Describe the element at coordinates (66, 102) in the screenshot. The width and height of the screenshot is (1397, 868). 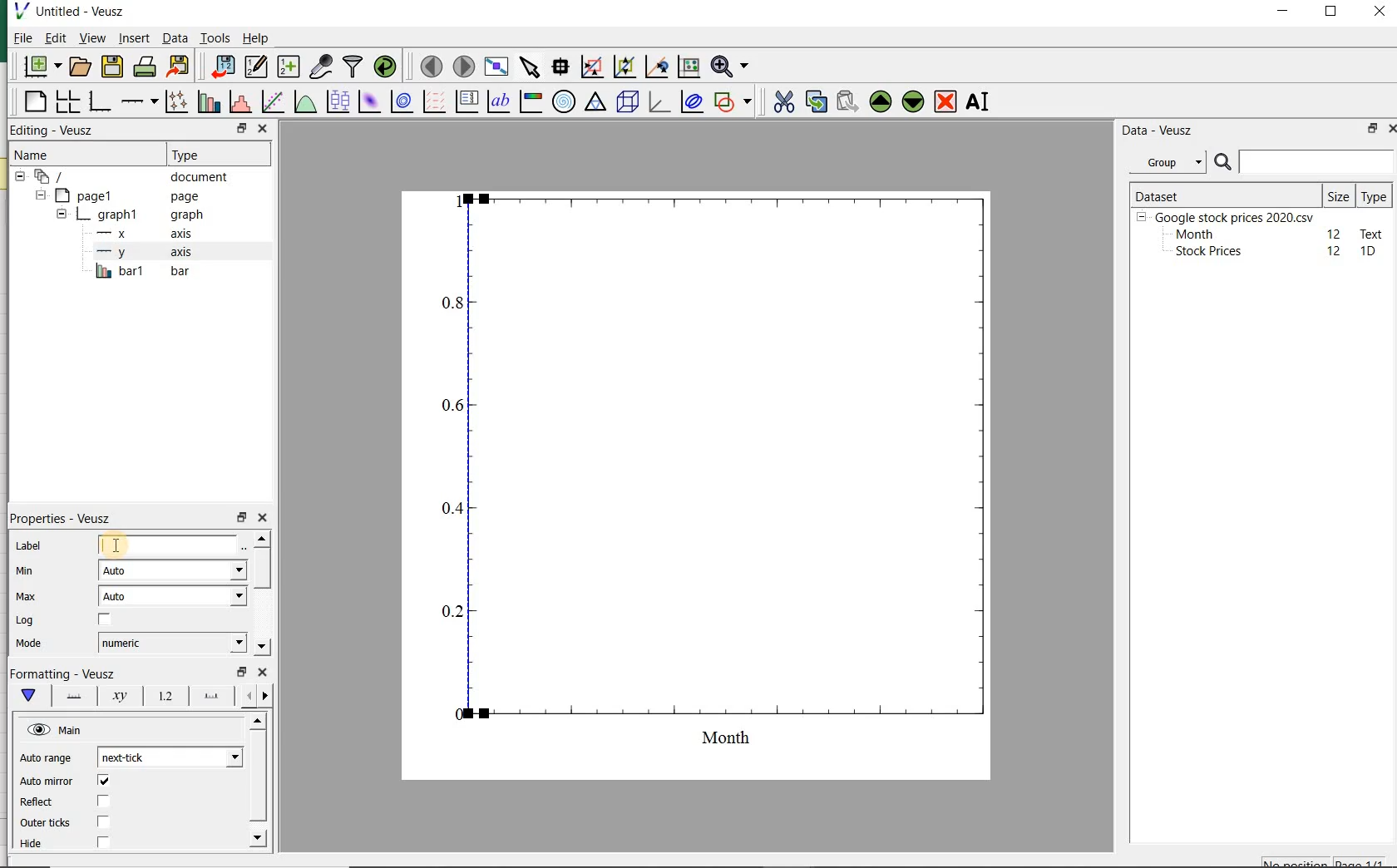
I see `arrange graphs in a grid` at that location.